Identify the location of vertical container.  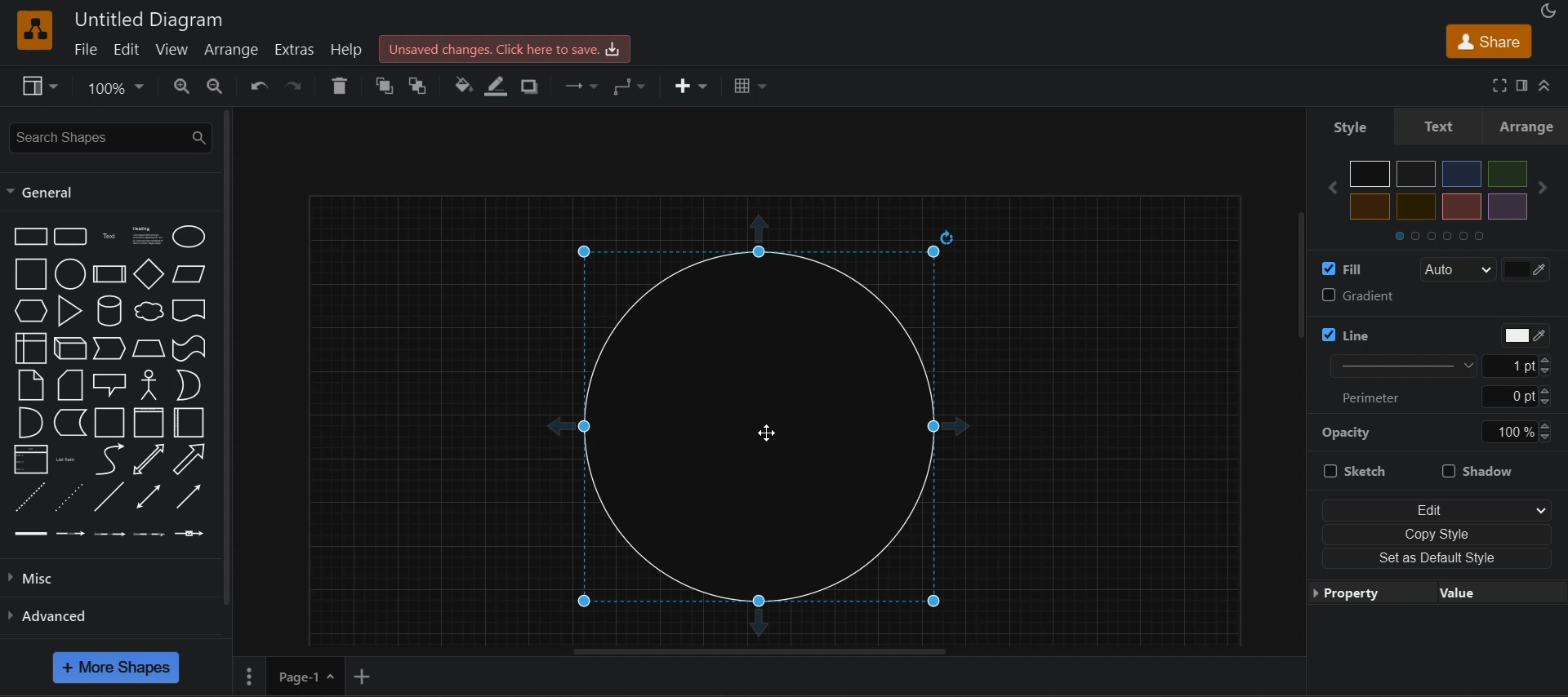
(151, 422).